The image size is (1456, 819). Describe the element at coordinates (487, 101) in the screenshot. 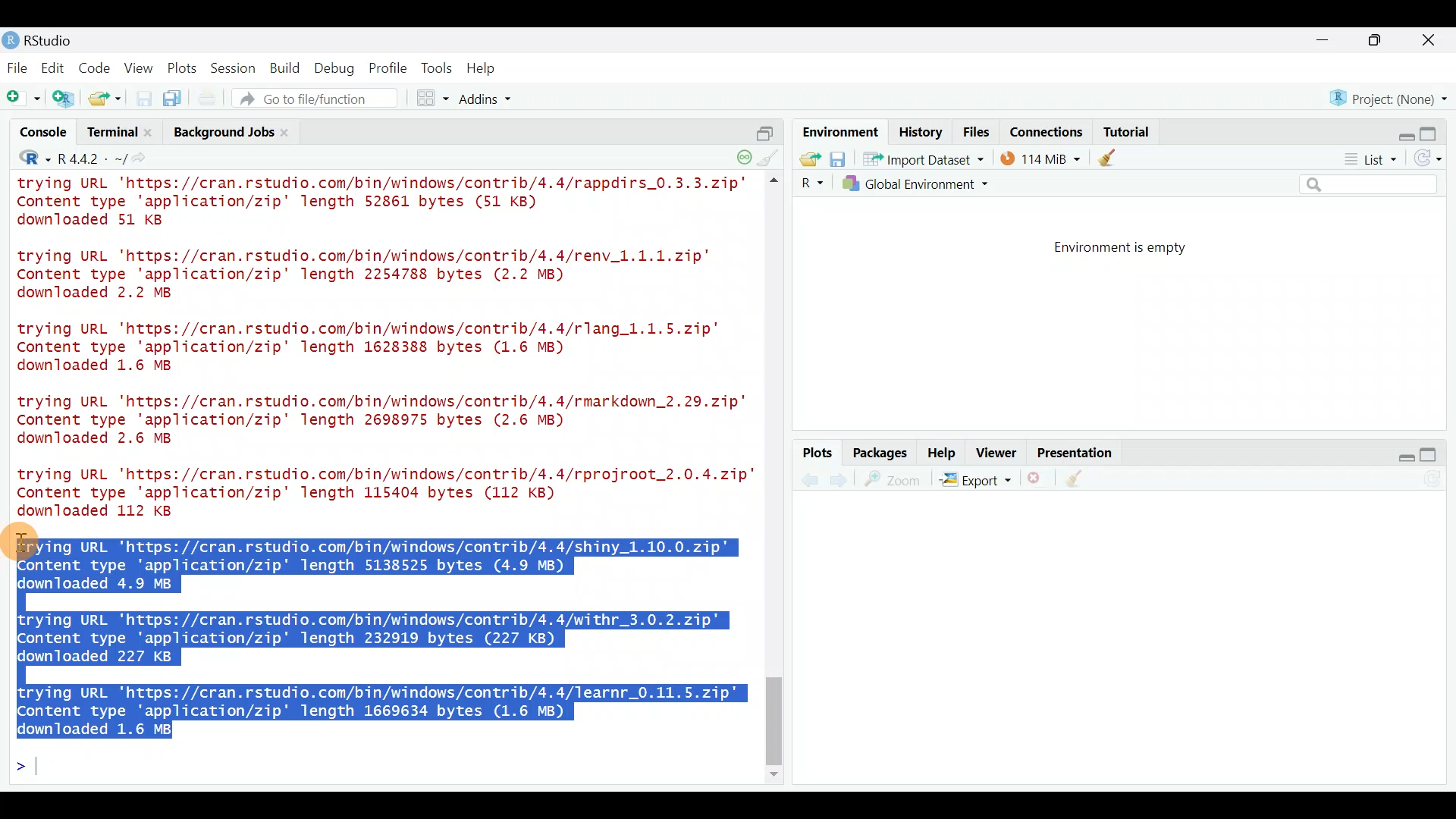

I see `Addins` at that location.